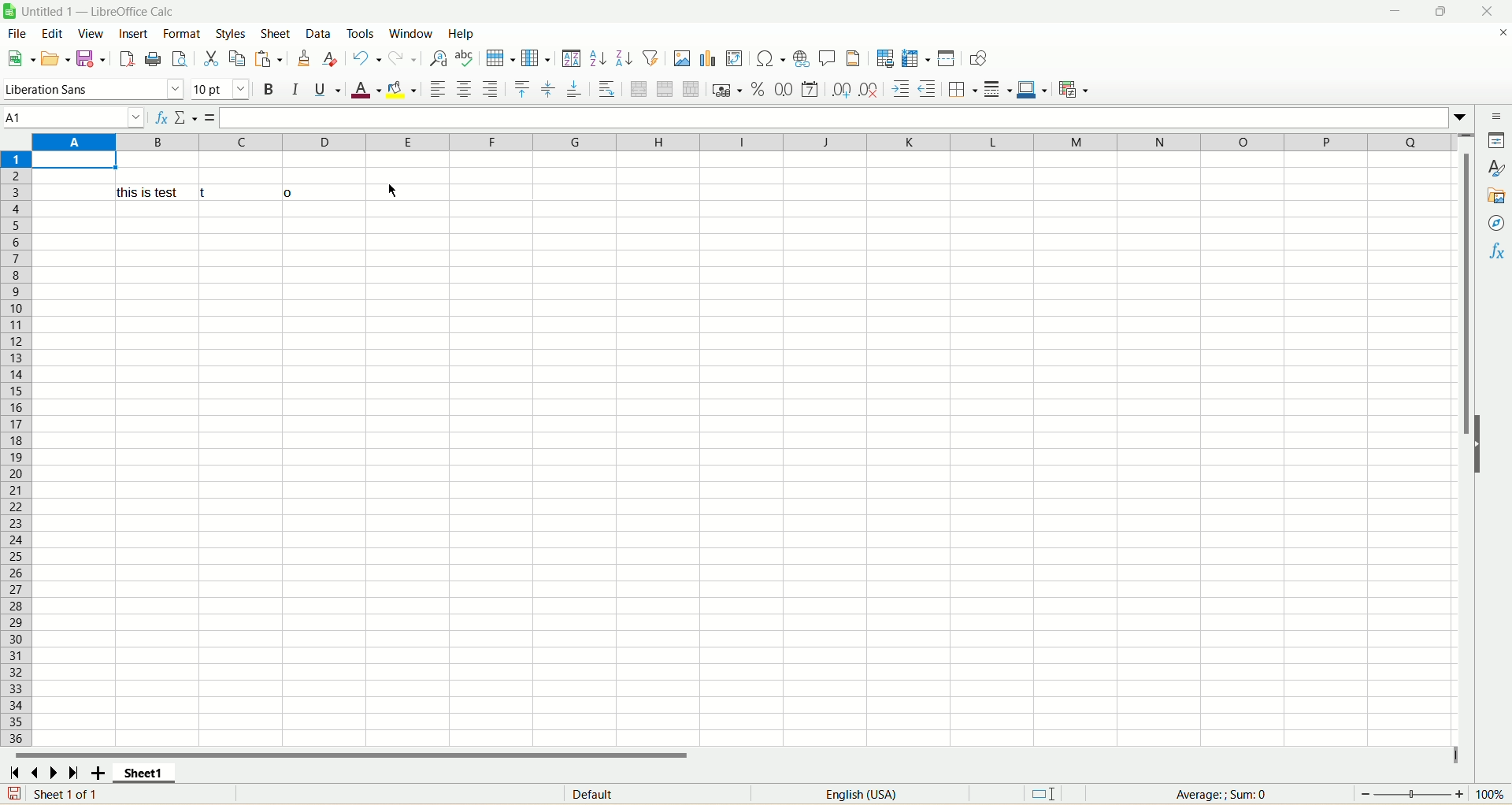 The width and height of the screenshot is (1512, 805). I want to click on tools, so click(361, 32).